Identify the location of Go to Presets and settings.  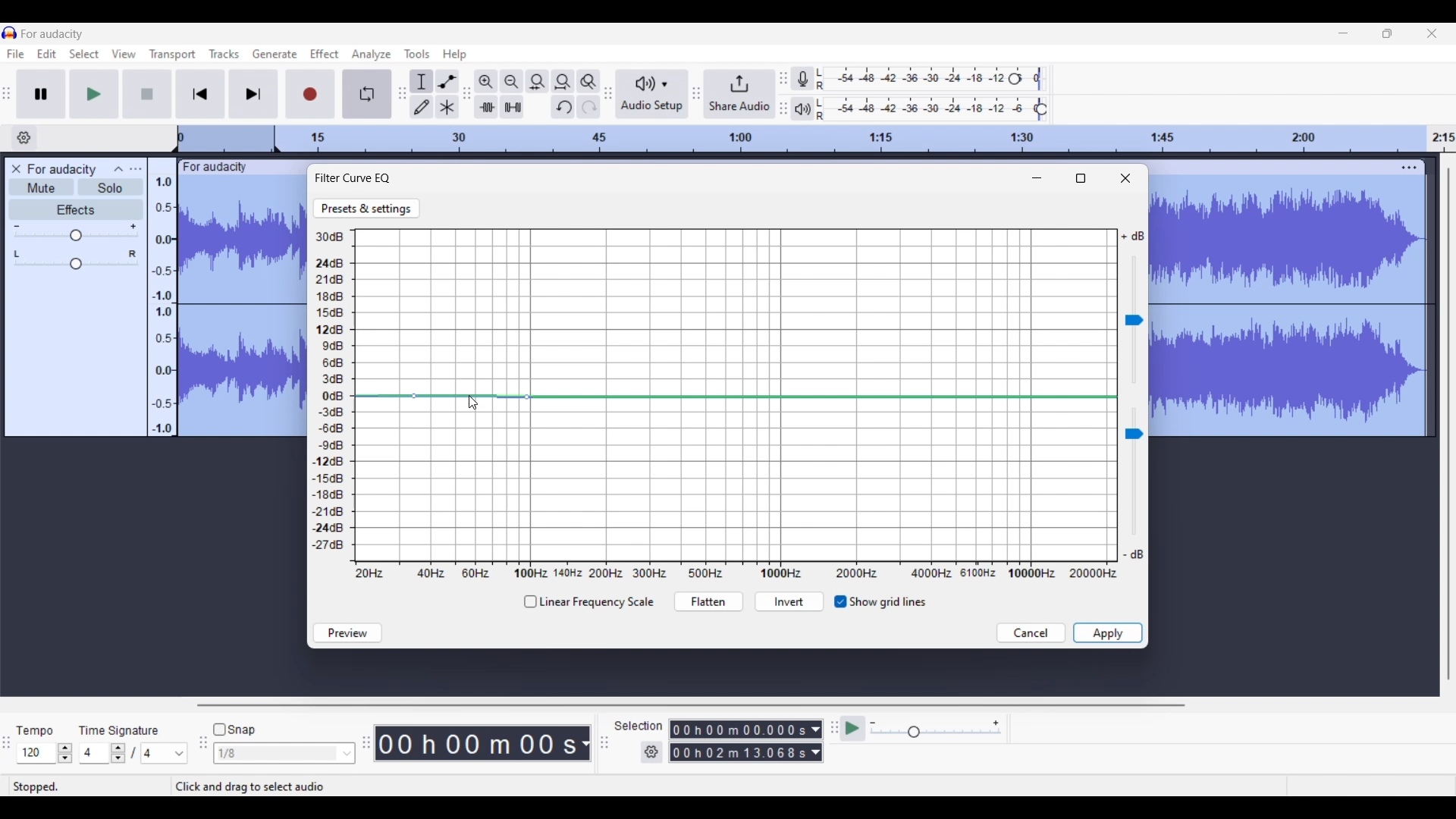
(367, 209).